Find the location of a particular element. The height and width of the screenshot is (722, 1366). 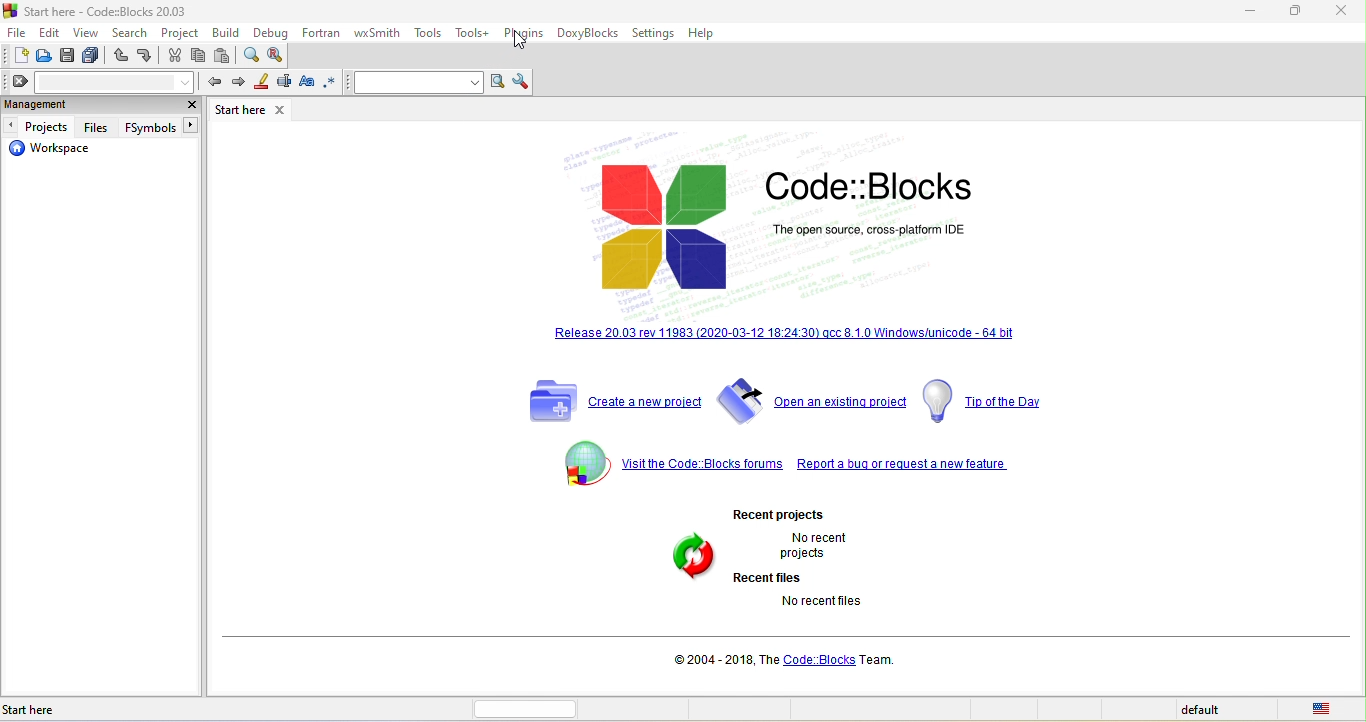

tools is located at coordinates (428, 34).